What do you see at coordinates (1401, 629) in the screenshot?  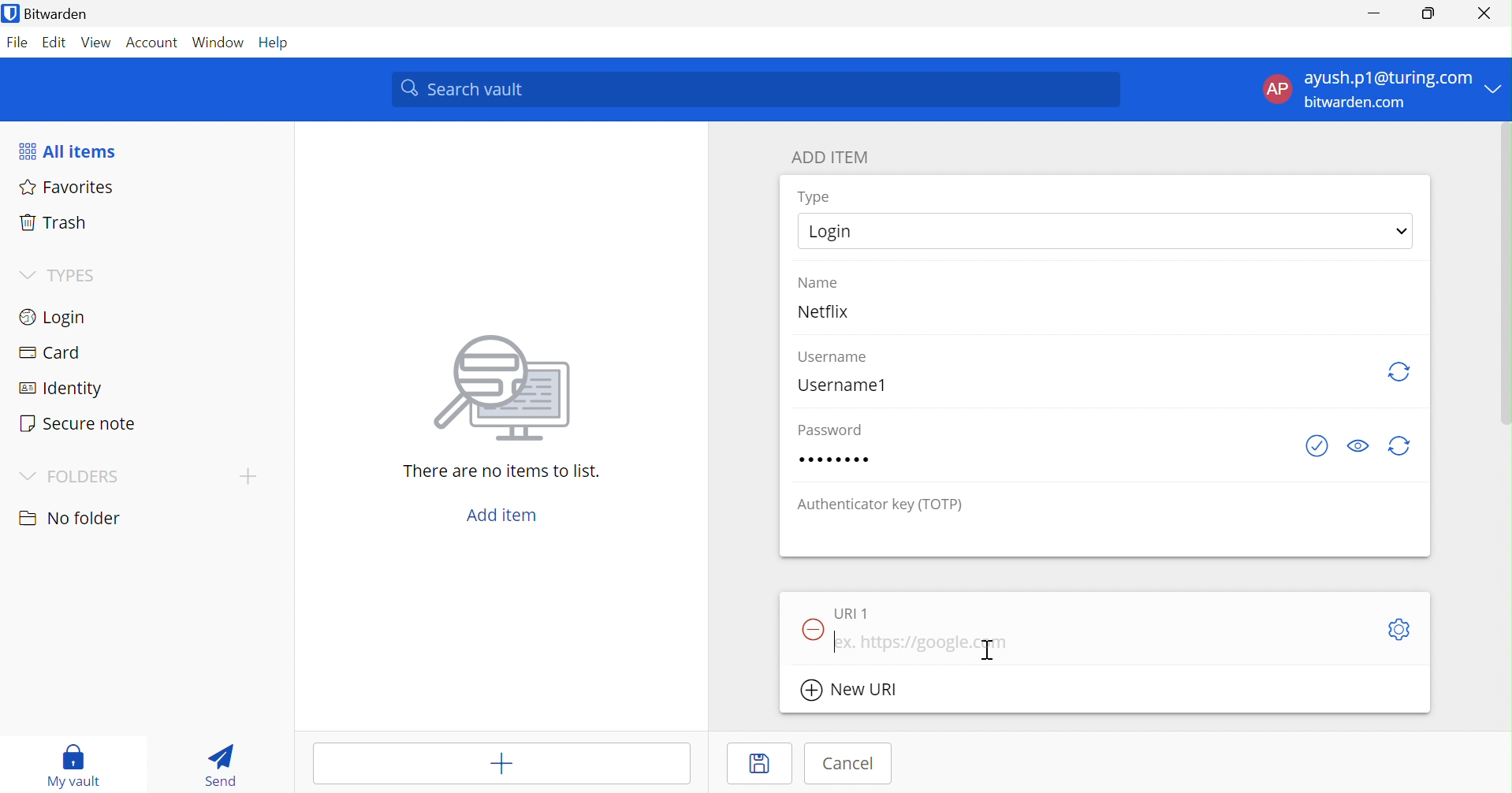 I see `Toggle options` at bounding box center [1401, 629].